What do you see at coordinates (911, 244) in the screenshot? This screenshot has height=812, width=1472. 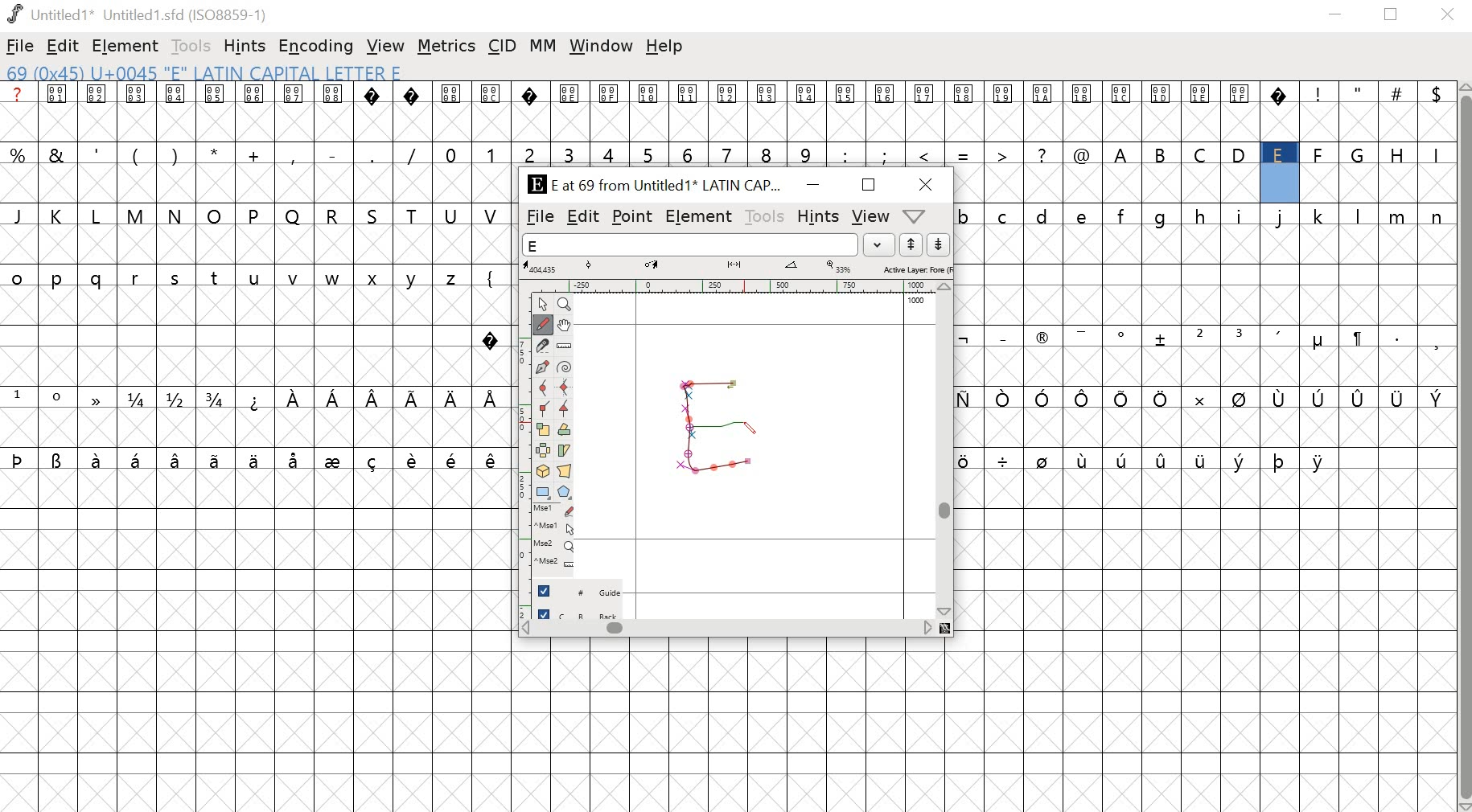 I see `up` at bounding box center [911, 244].